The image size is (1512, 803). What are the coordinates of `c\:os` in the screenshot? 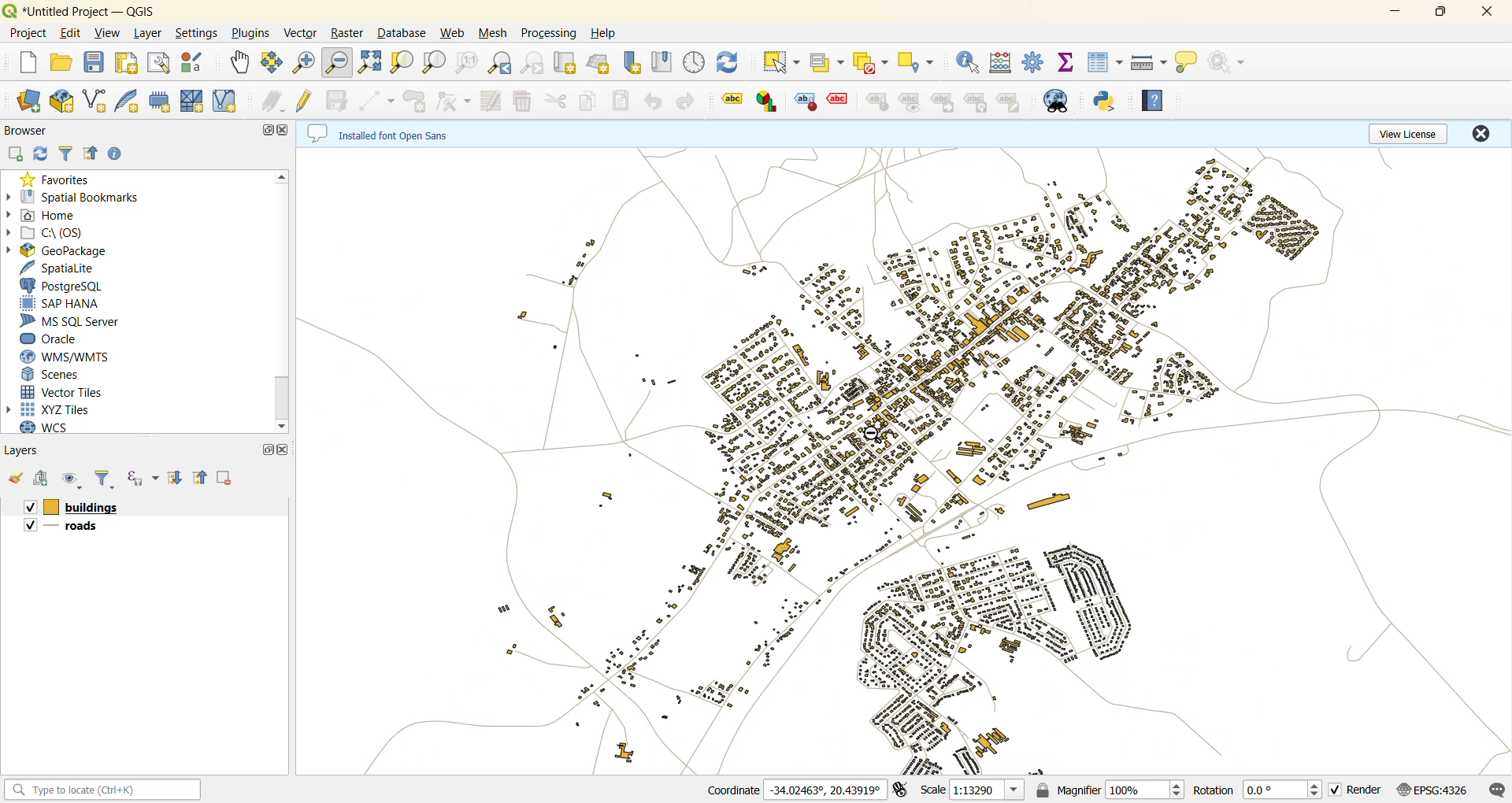 It's located at (53, 234).